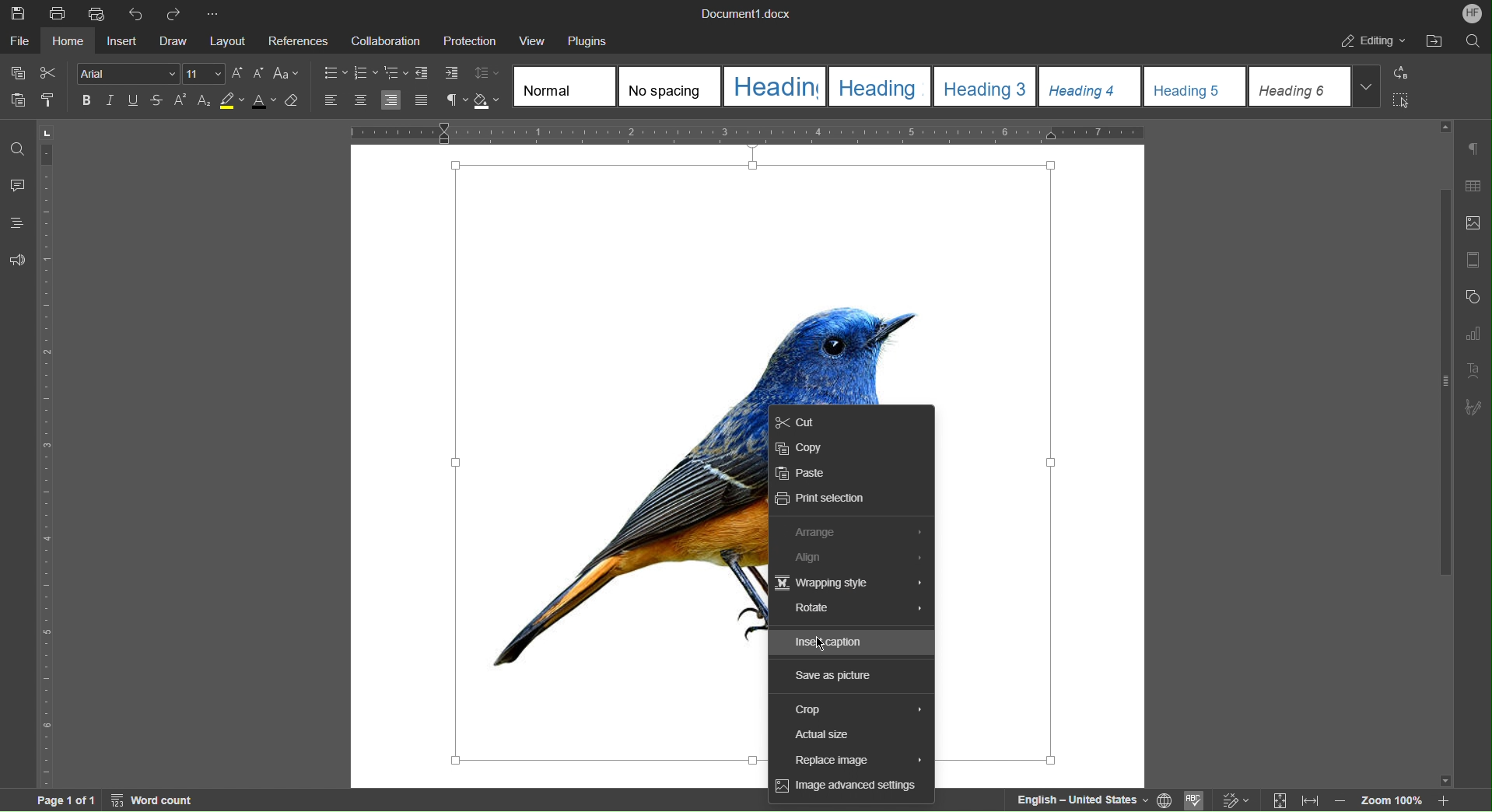 The width and height of the screenshot is (1492, 812). Describe the element at coordinates (18, 12) in the screenshot. I see `Save` at that location.